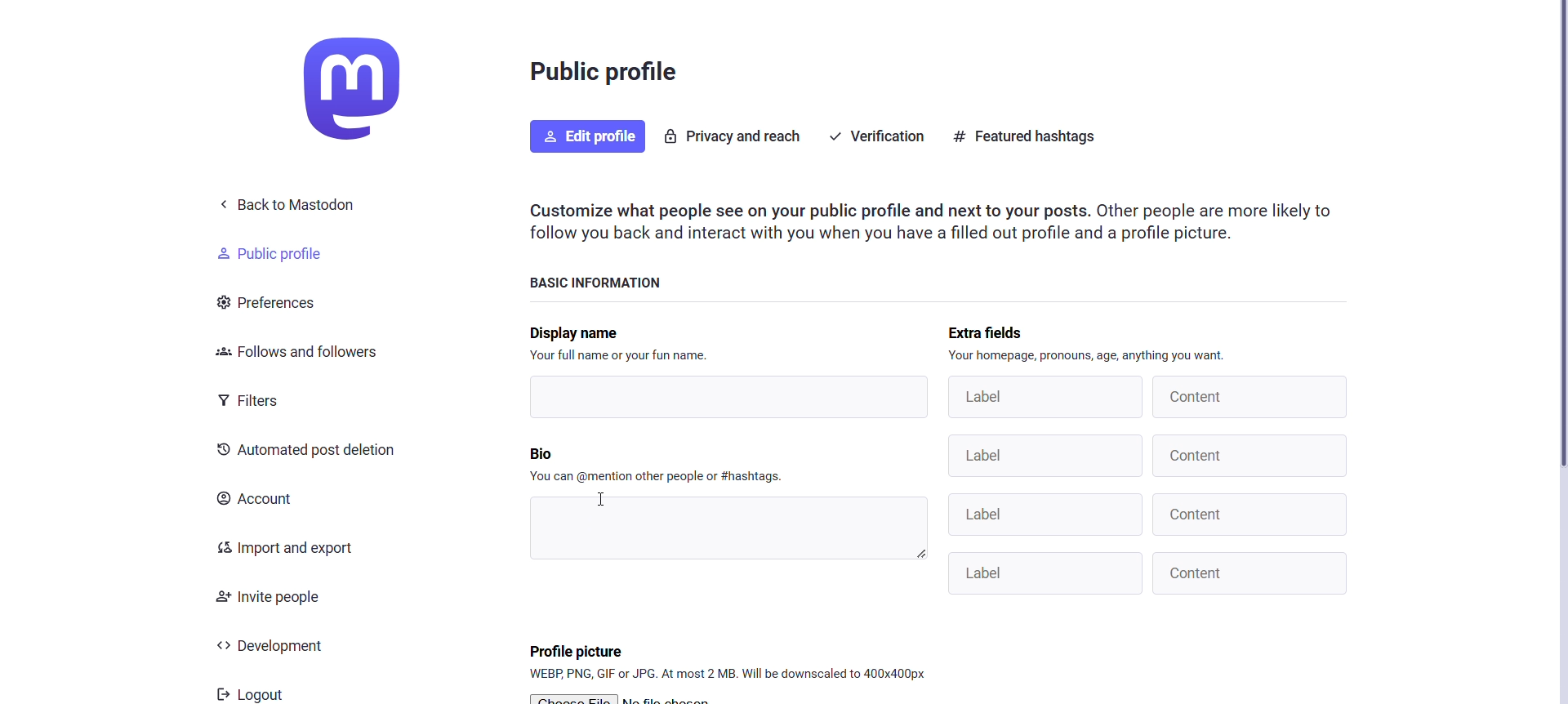 This screenshot has width=1568, height=704. Describe the element at coordinates (1251, 574) in the screenshot. I see `Content` at that location.